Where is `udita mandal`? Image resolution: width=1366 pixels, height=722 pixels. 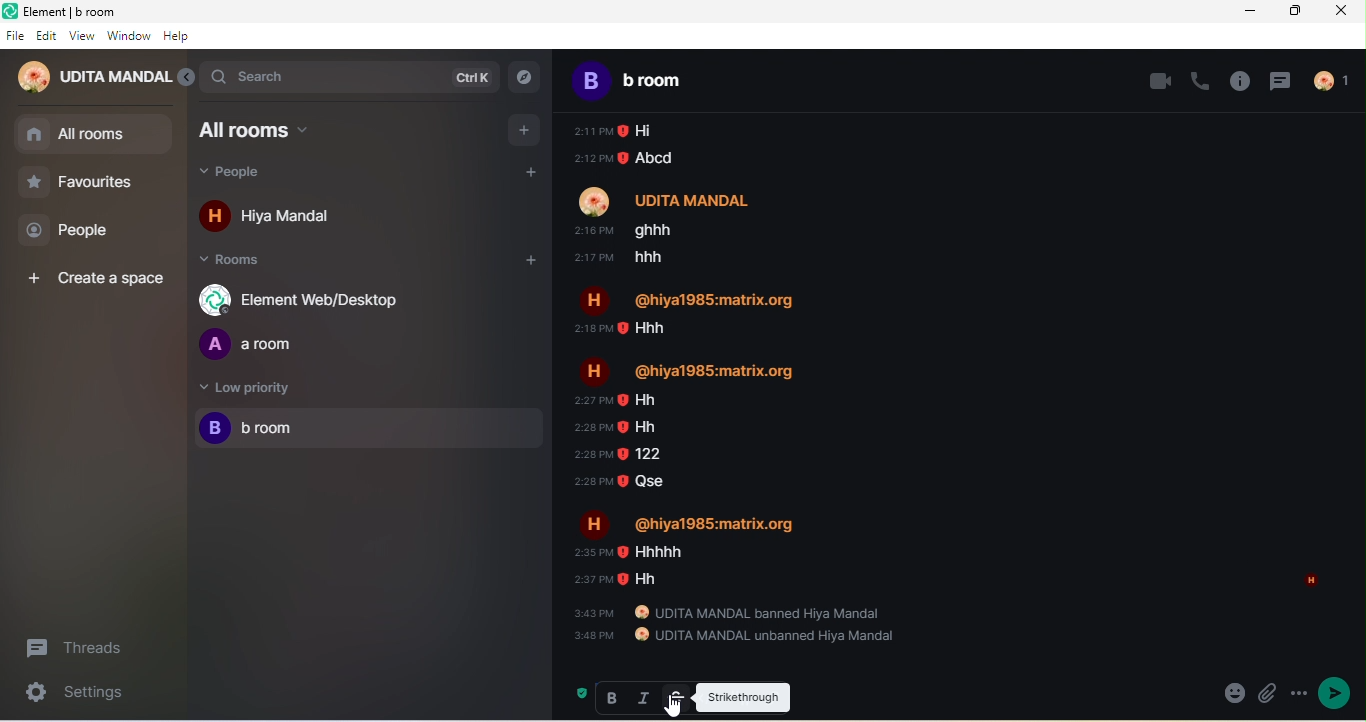
udita mandal is located at coordinates (89, 80).